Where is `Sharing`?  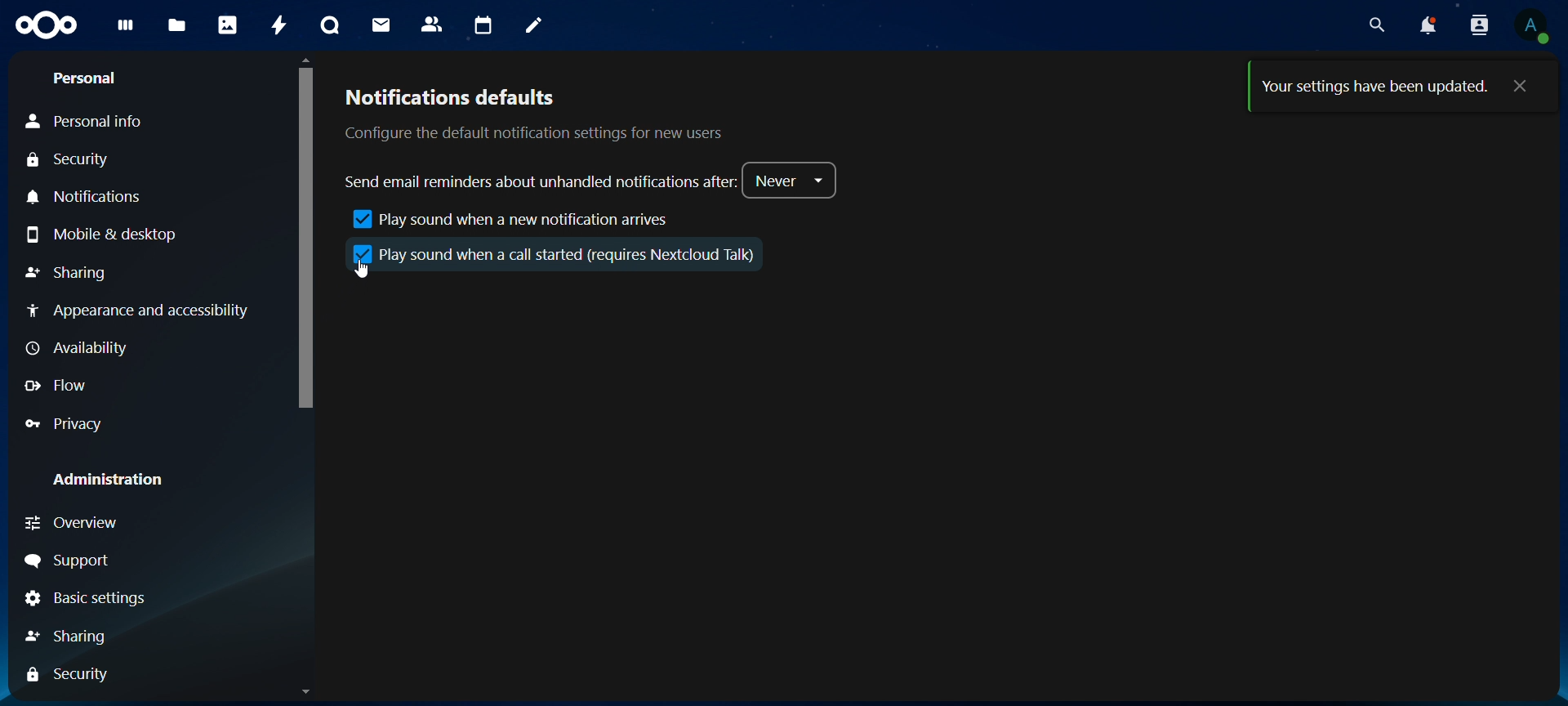 Sharing is located at coordinates (67, 272).